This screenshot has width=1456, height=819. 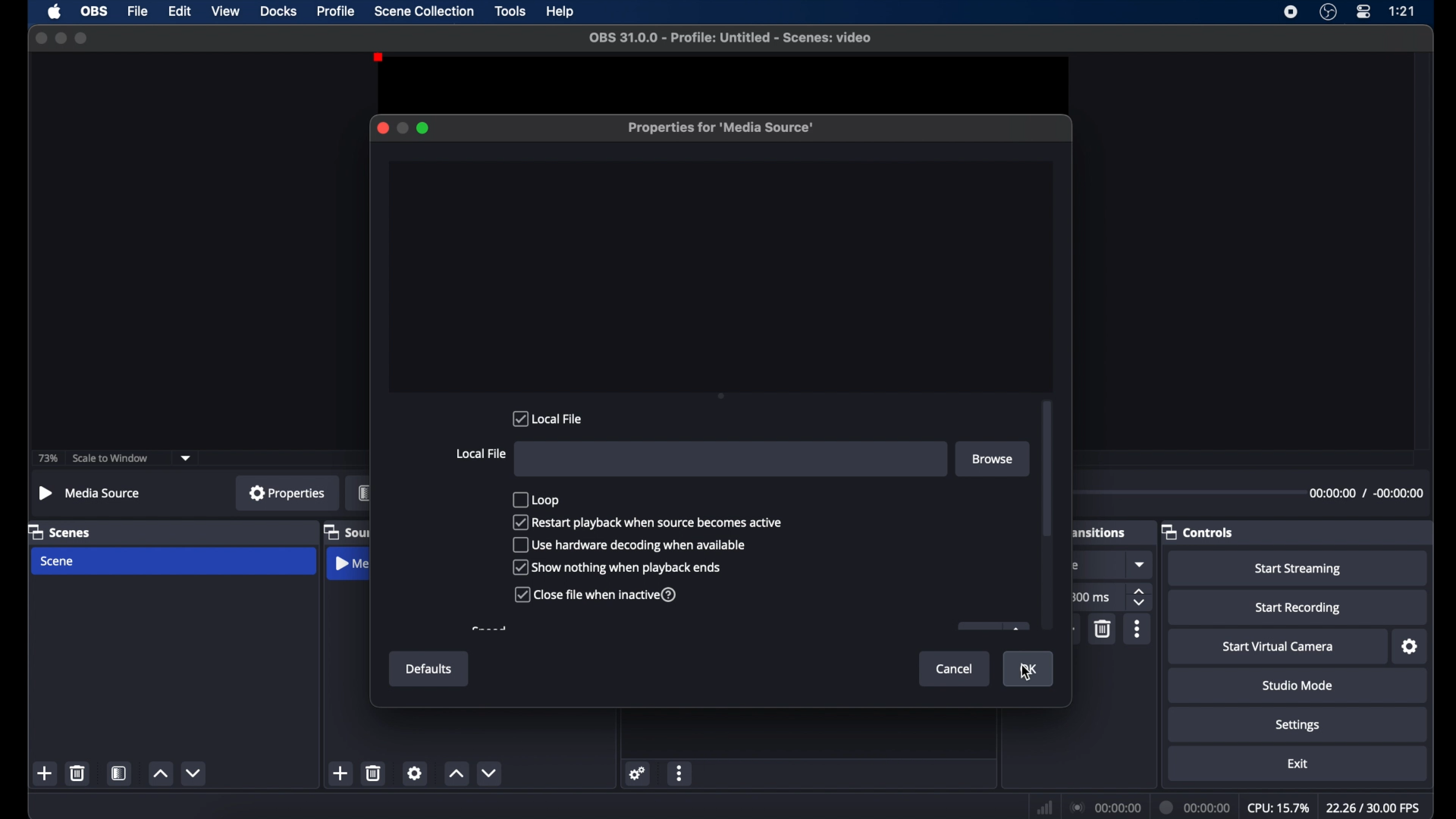 What do you see at coordinates (1028, 675) in the screenshot?
I see `cursor` at bounding box center [1028, 675].